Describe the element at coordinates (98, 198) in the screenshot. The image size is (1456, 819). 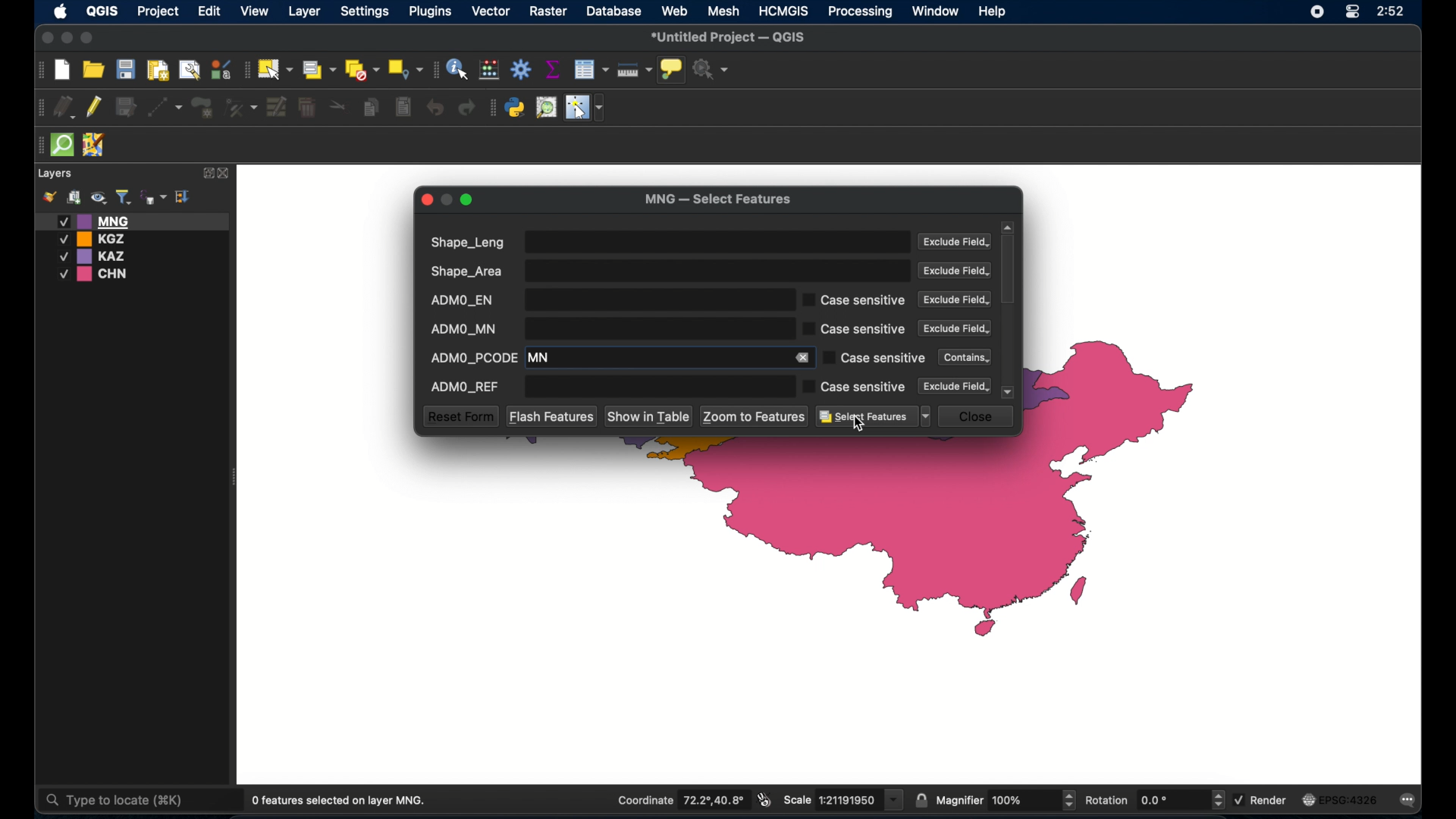
I see `manage map theme` at that location.